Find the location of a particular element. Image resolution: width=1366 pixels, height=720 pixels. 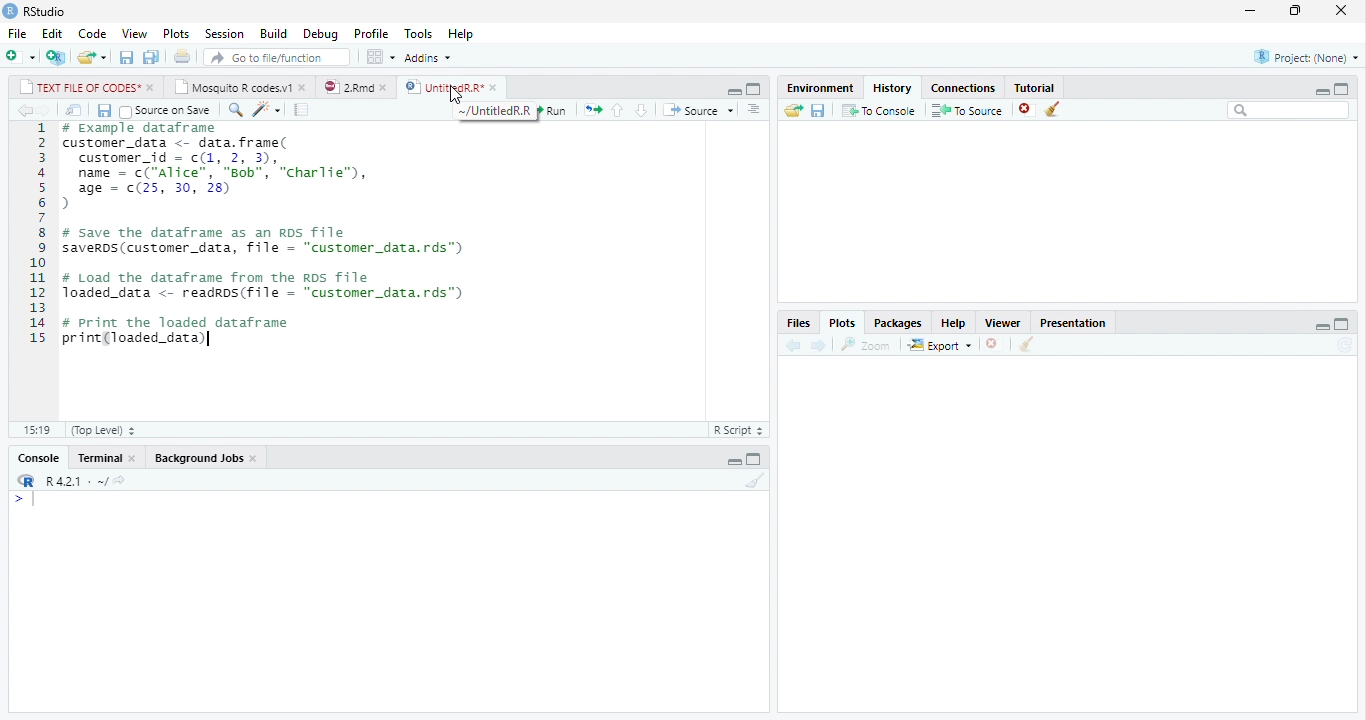

maximize is located at coordinates (754, 459).